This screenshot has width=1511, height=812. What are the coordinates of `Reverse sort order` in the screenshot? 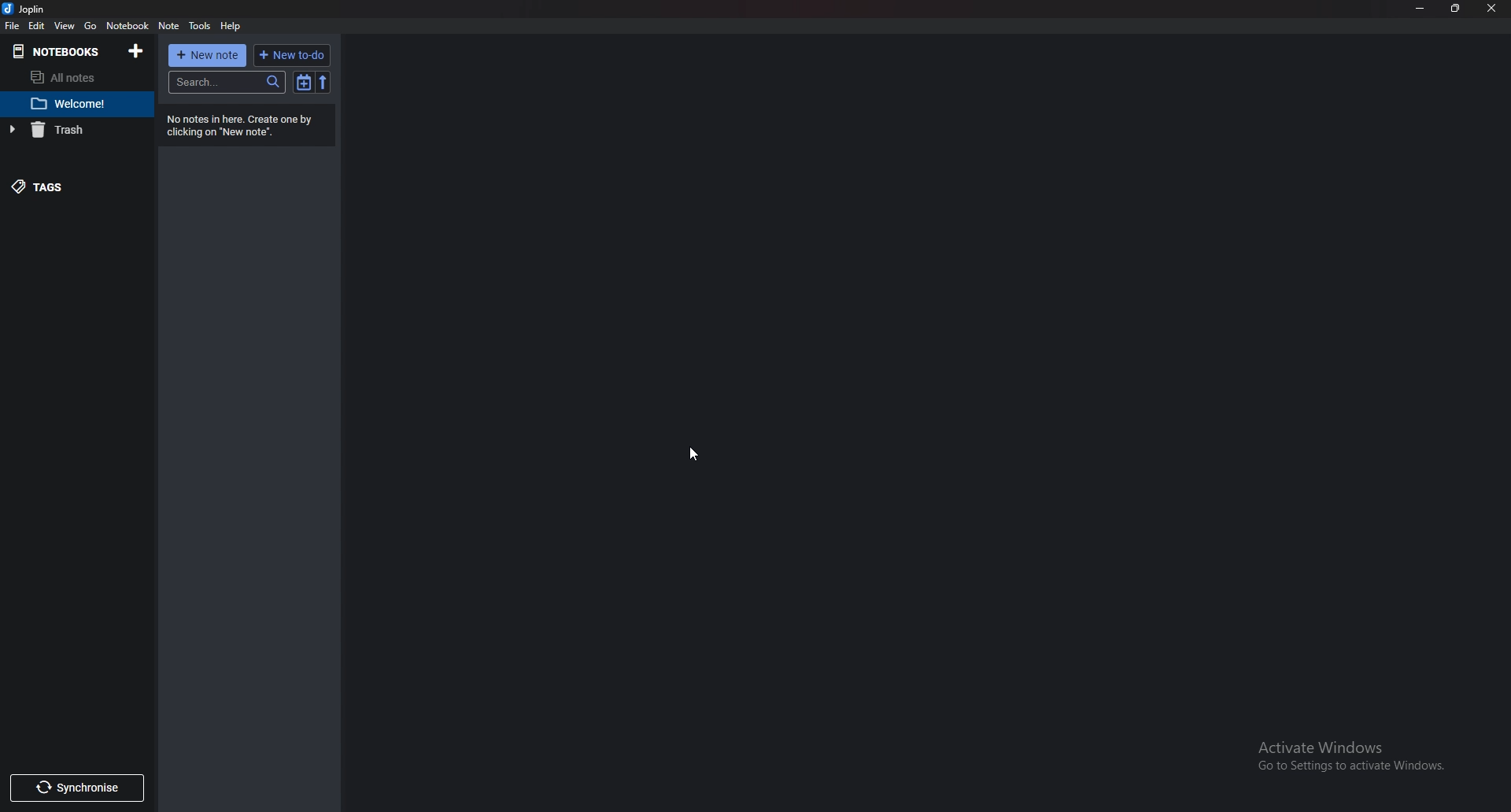 It's located at (323, 83).